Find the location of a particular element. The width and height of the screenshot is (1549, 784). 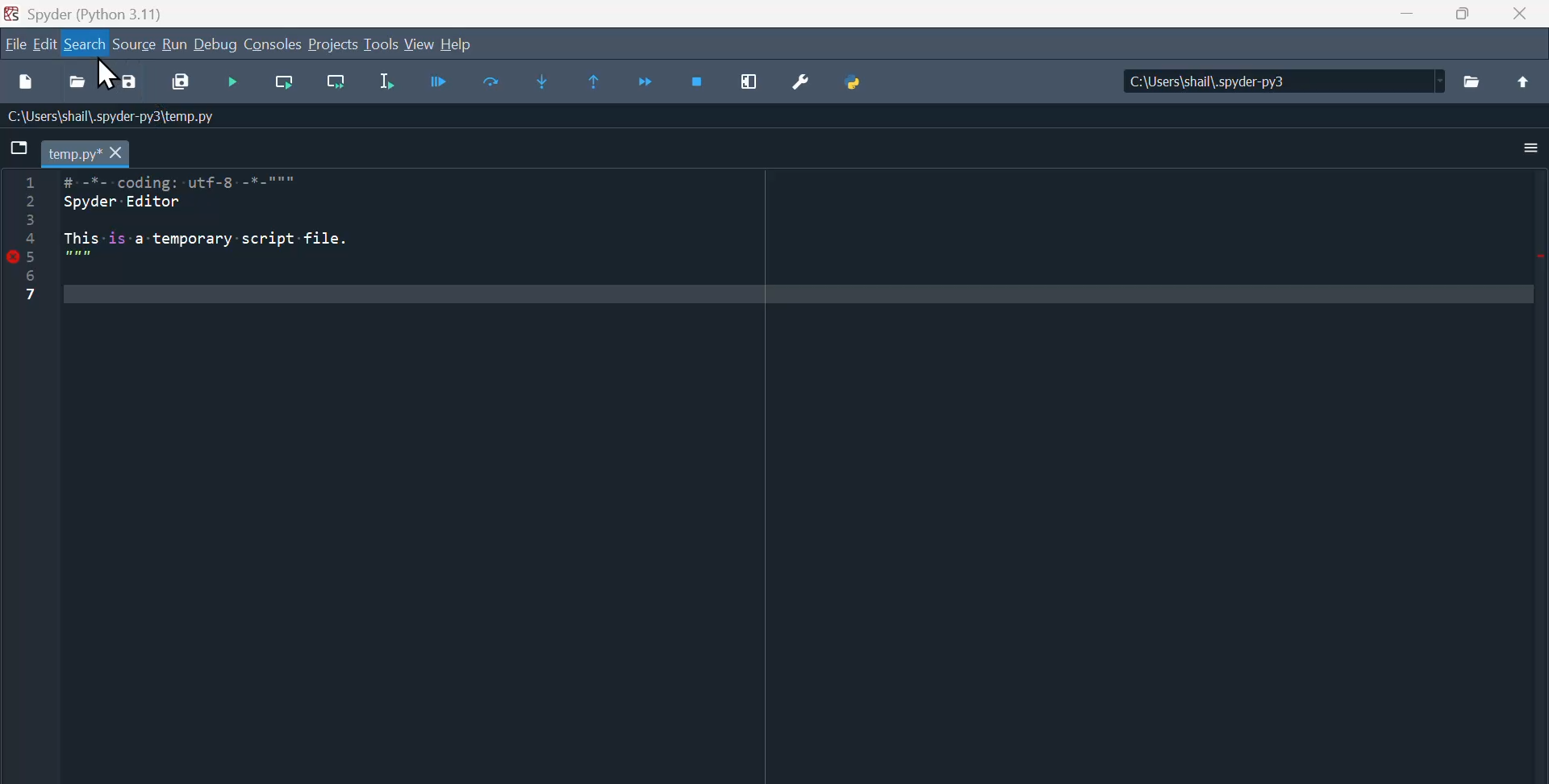

file is located at coordinates (16, 44).